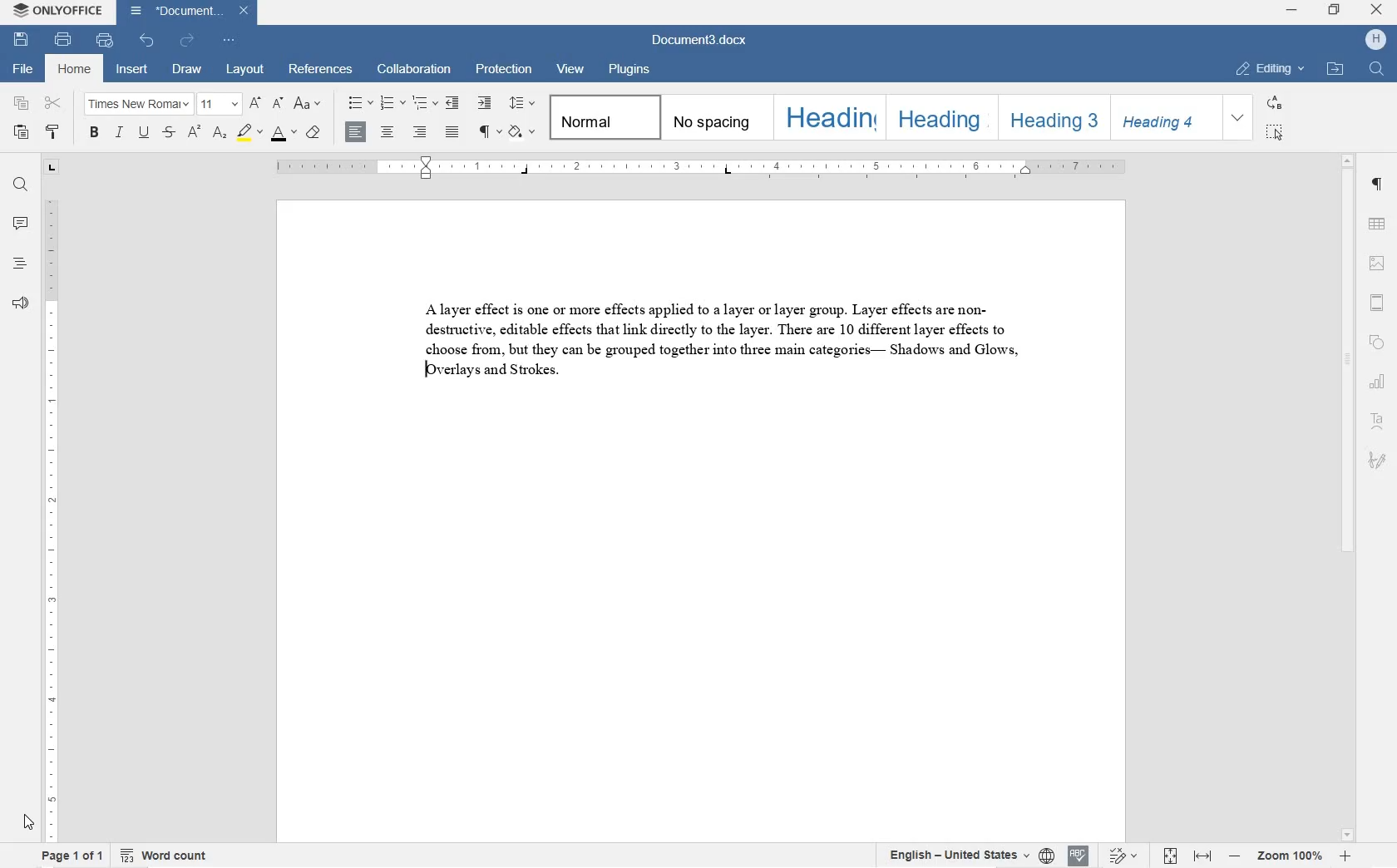  What do you see at coordinates (19, 69) in the screenshot?
I see `file` at bounding box center [19, 69].